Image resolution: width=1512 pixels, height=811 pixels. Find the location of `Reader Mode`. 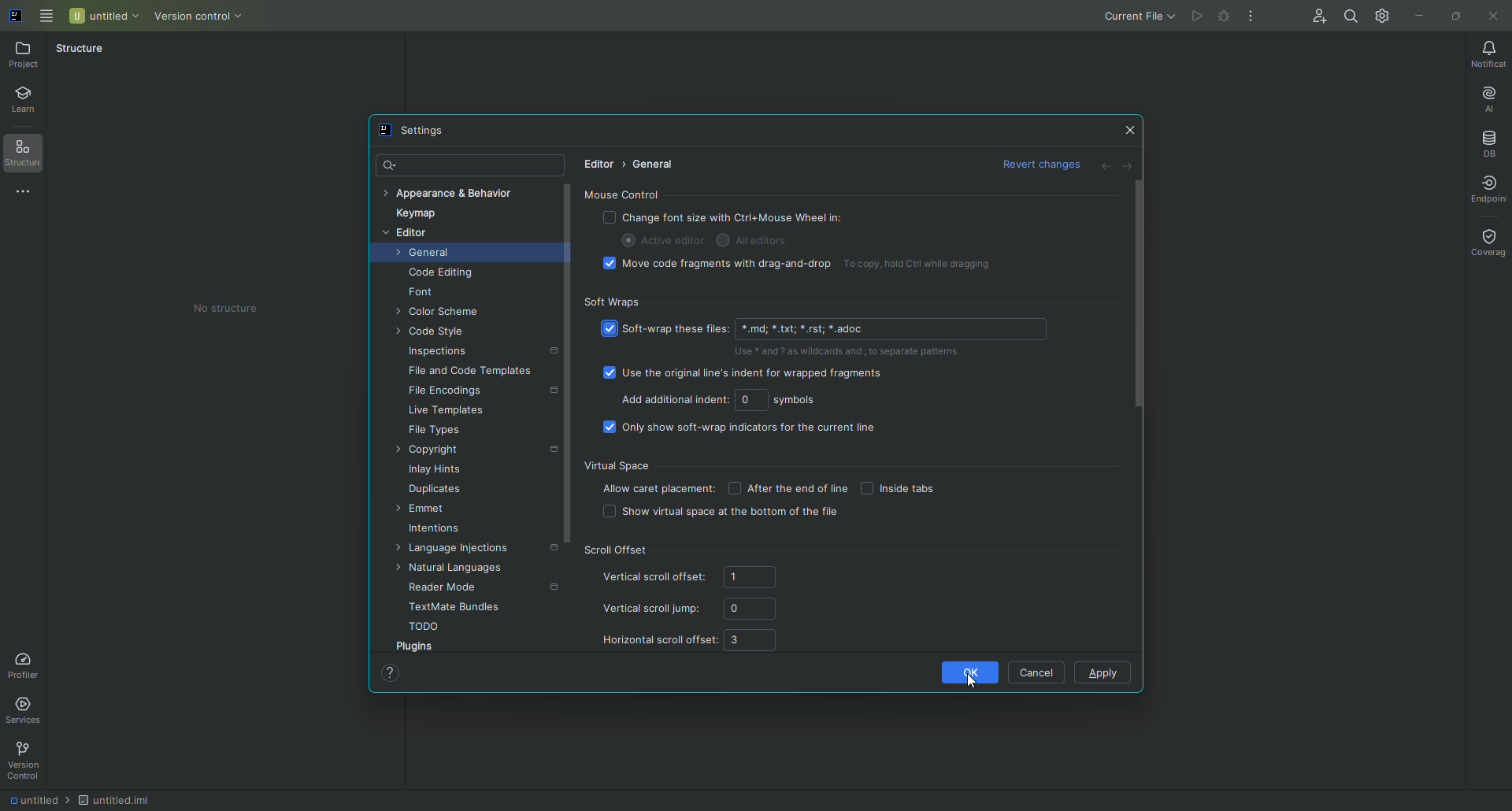

Reader Mode is located at coordinates (445, 587).